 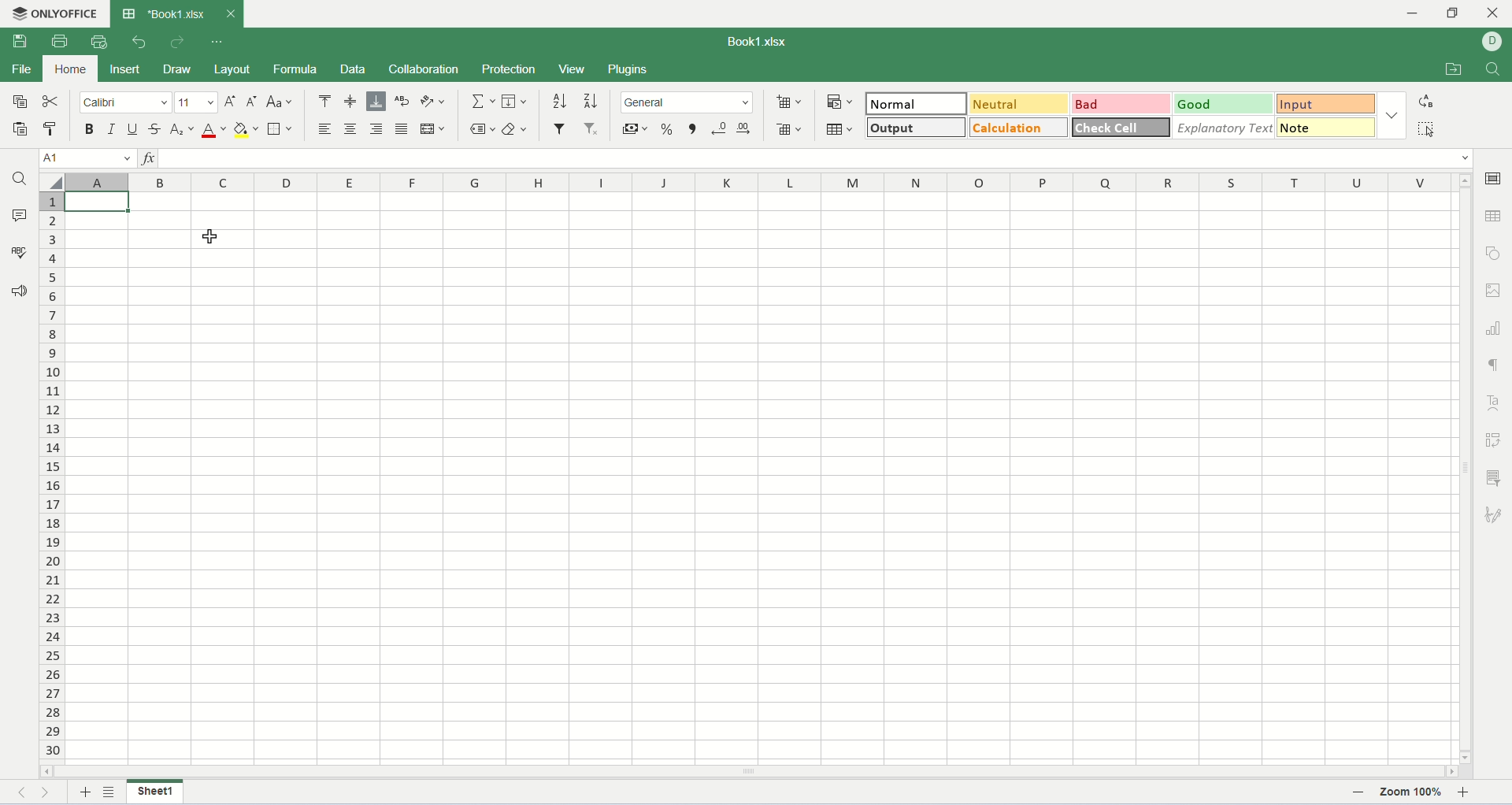 What do you see at coordinates (68, 69) in the screenshot?
I see `home` at bounding box center [68, 69].